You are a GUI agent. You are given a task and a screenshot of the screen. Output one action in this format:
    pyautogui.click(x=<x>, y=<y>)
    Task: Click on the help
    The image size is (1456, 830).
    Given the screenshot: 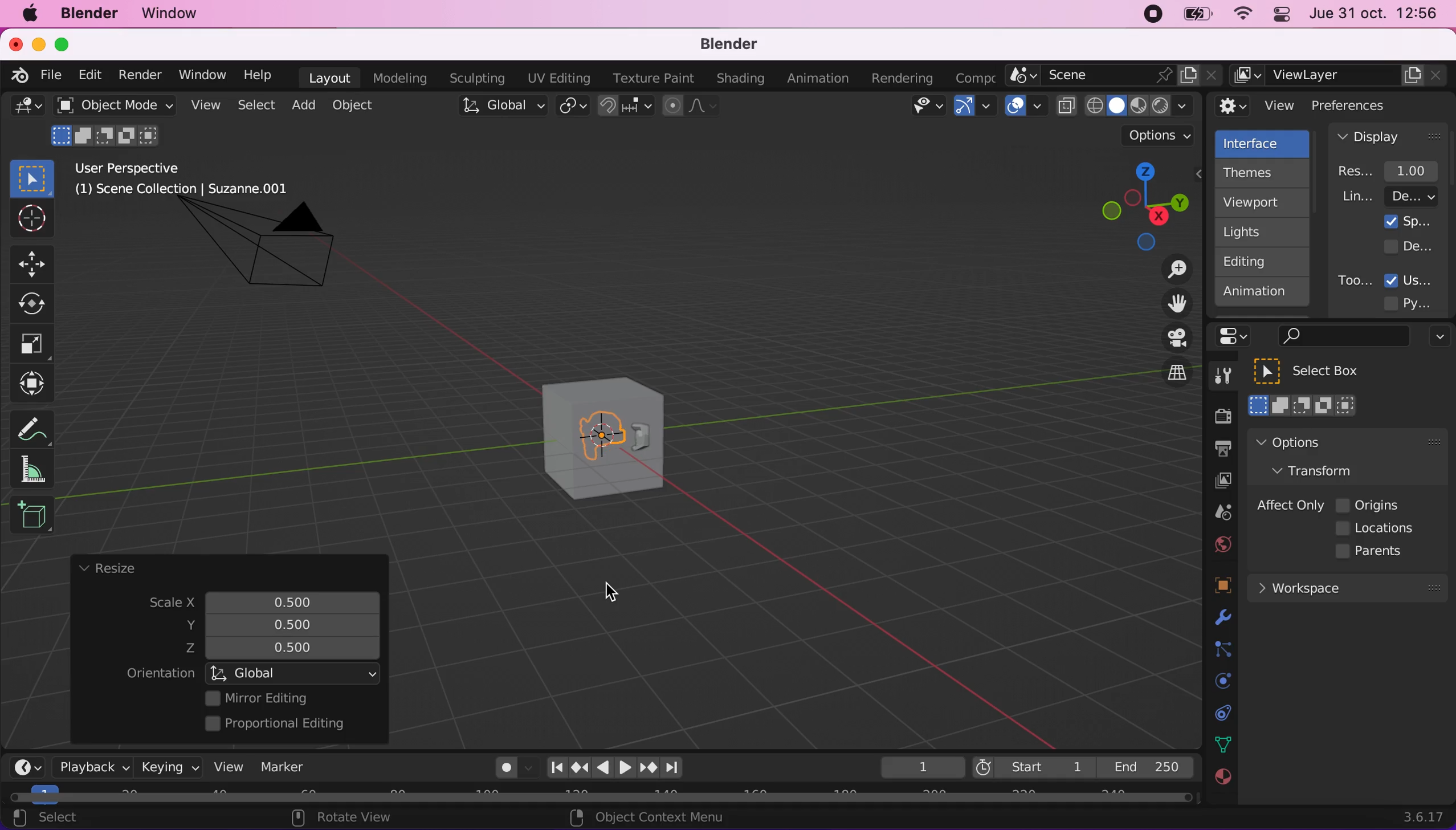 What is the action you would take?
    pyautogui.click(x=259, y=74)
    